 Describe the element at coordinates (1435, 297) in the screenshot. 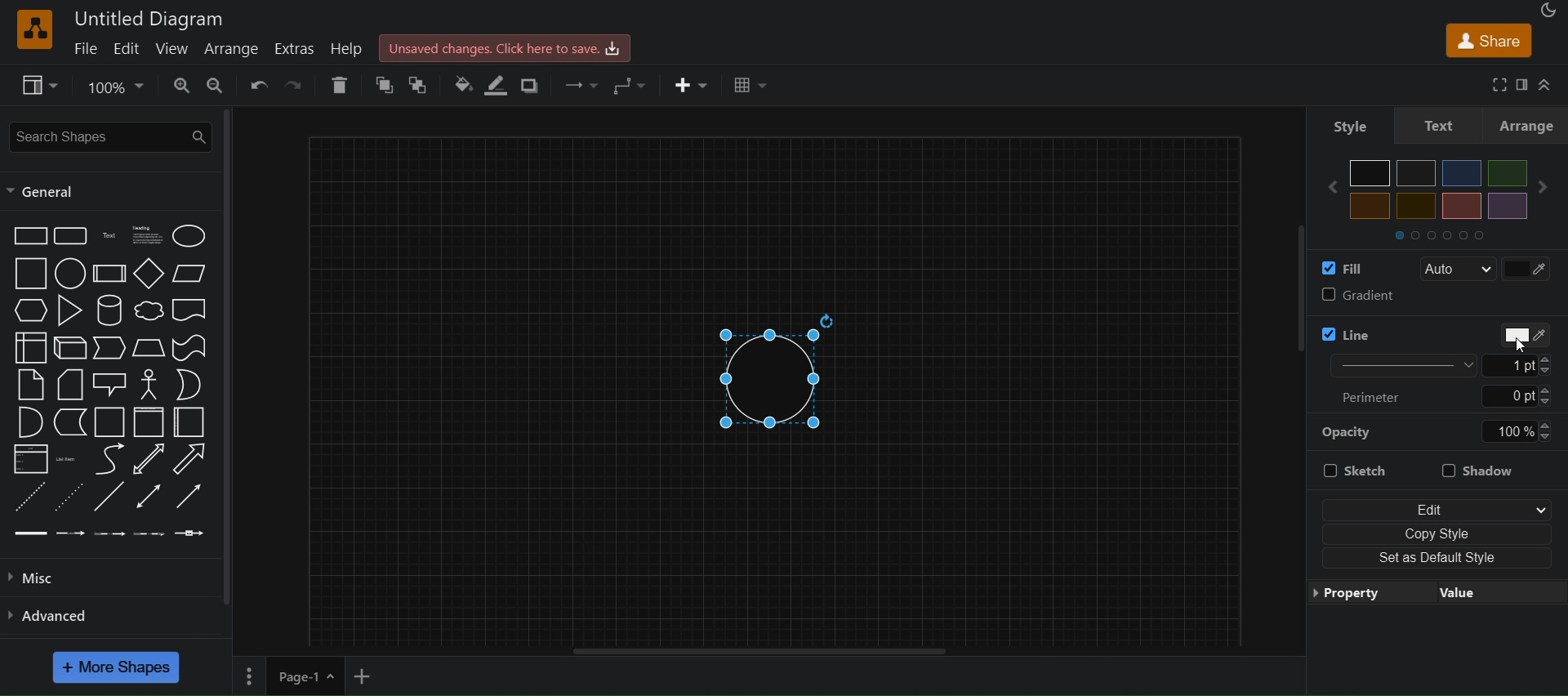

I see `gradient` at that location.